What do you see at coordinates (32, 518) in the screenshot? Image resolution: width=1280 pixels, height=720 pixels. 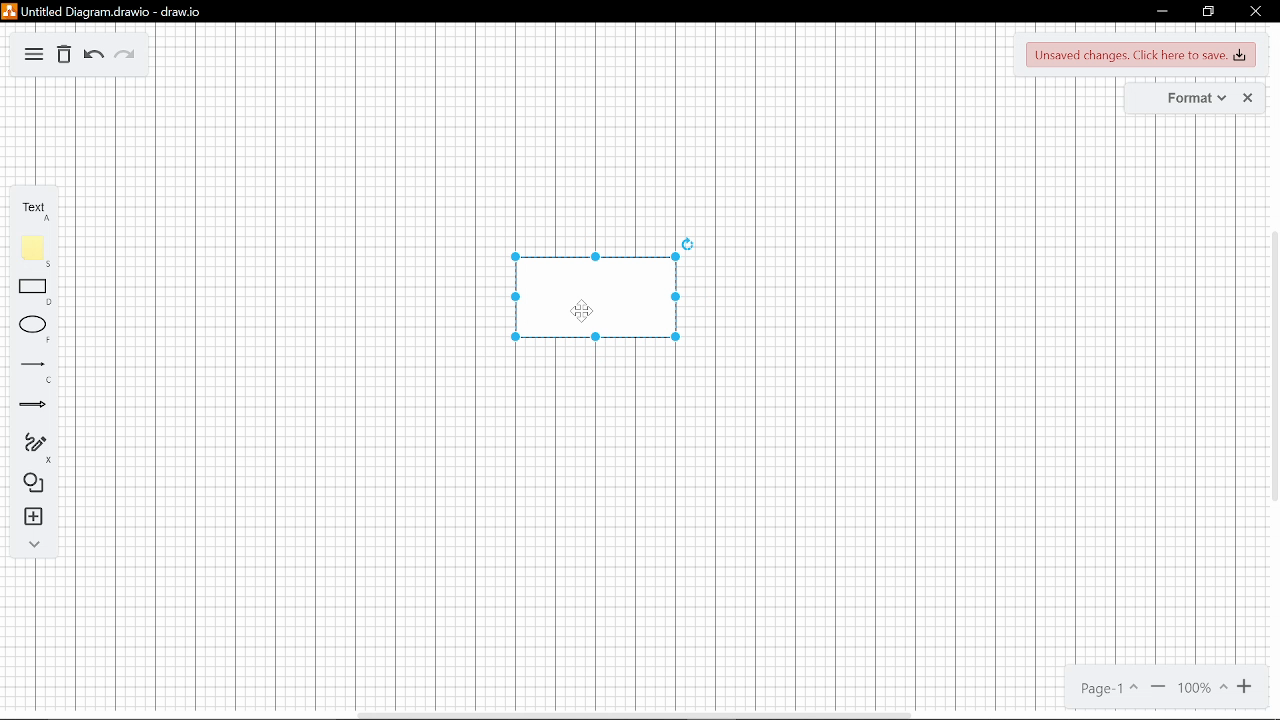 I see `add` at bounding box center [32, 518].